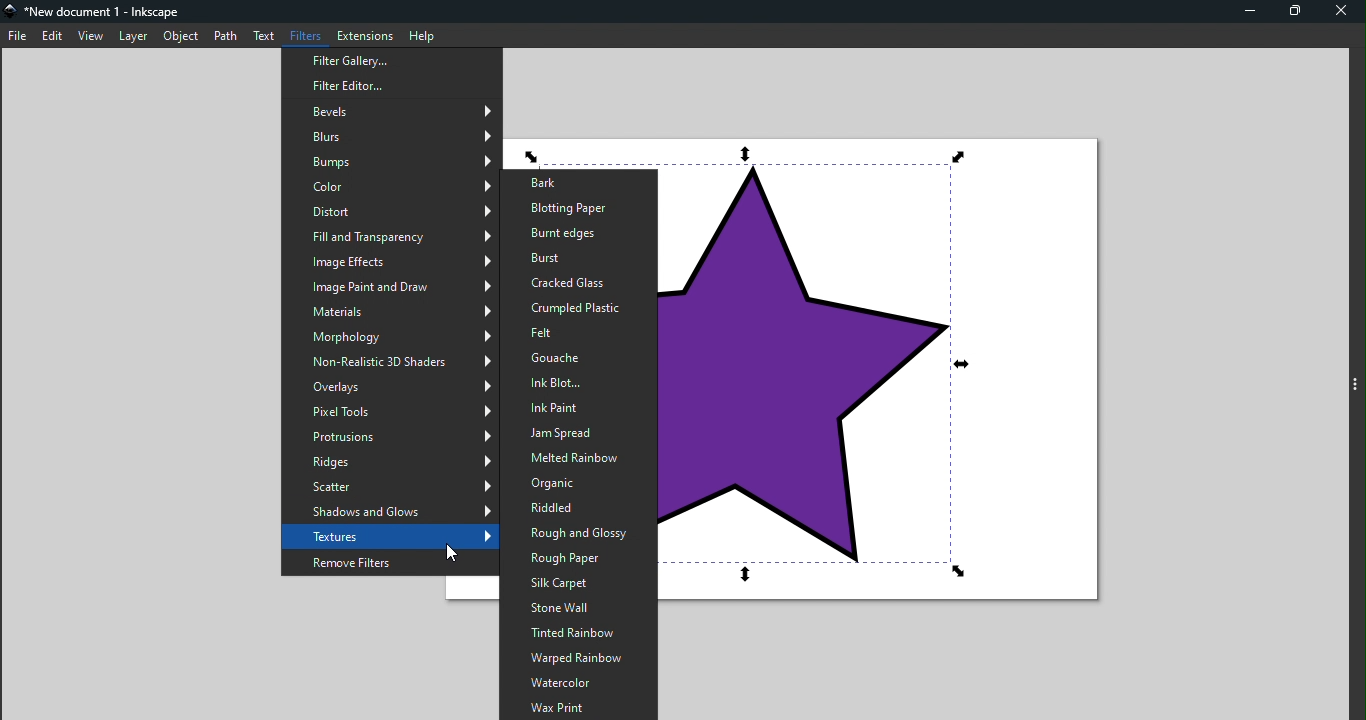 The height and width of the screenshot is (720, 1366). I want to click on Melted rainbow, so click(573, 459).